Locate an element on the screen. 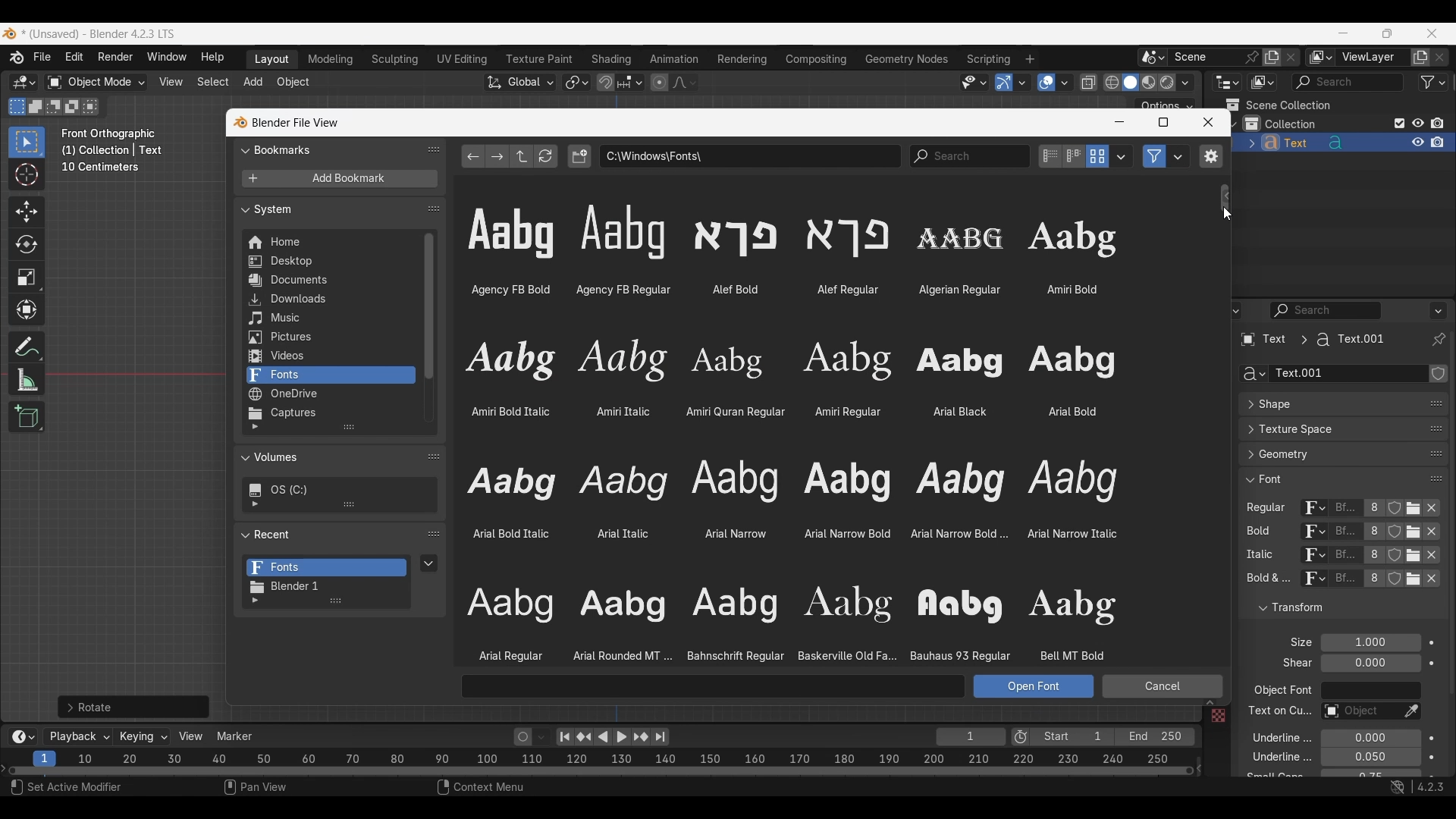  Scene collection is located at coordinates (1278, 105).